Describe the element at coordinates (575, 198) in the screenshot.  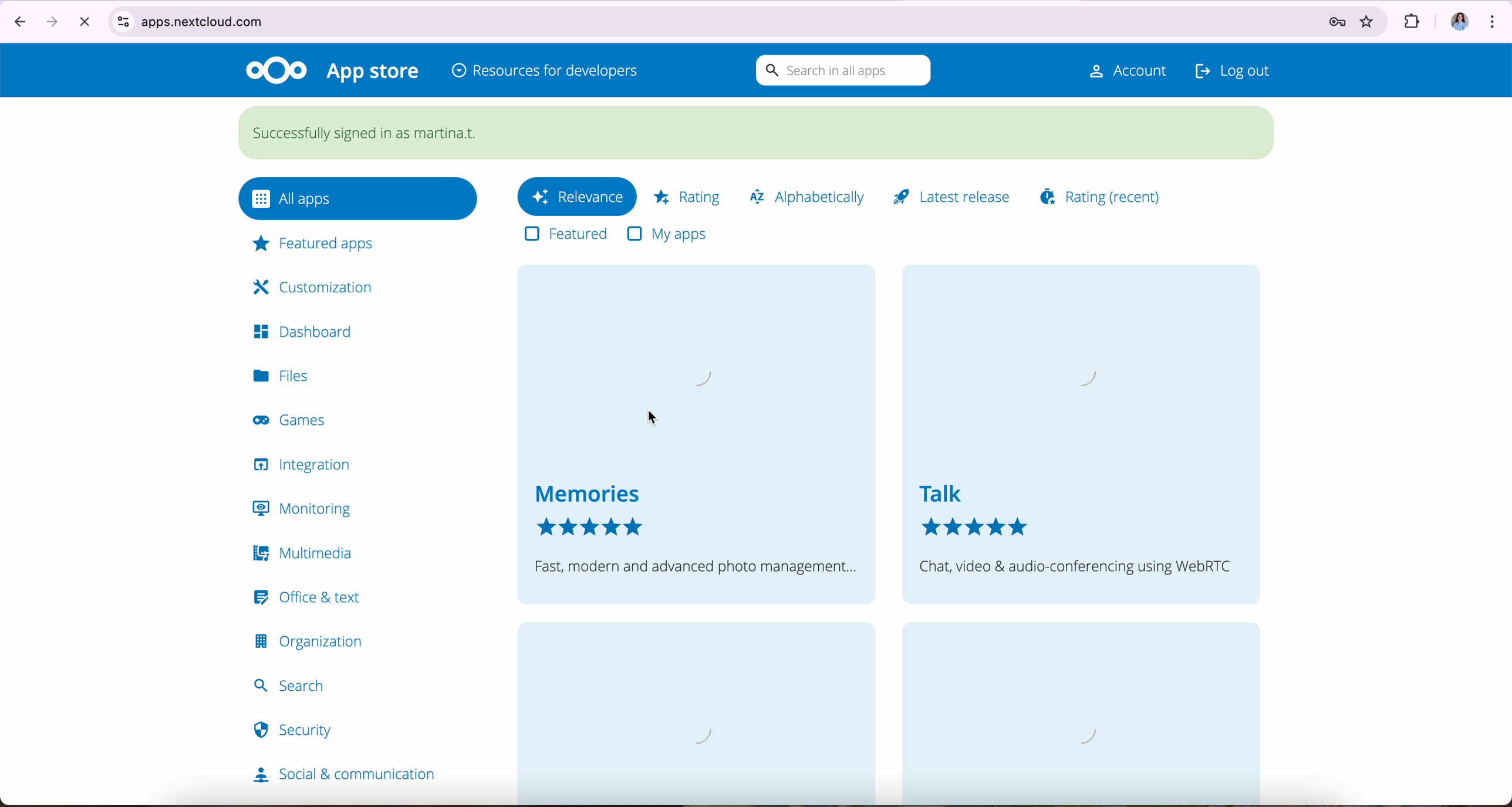
I see `relevance button` at that location.